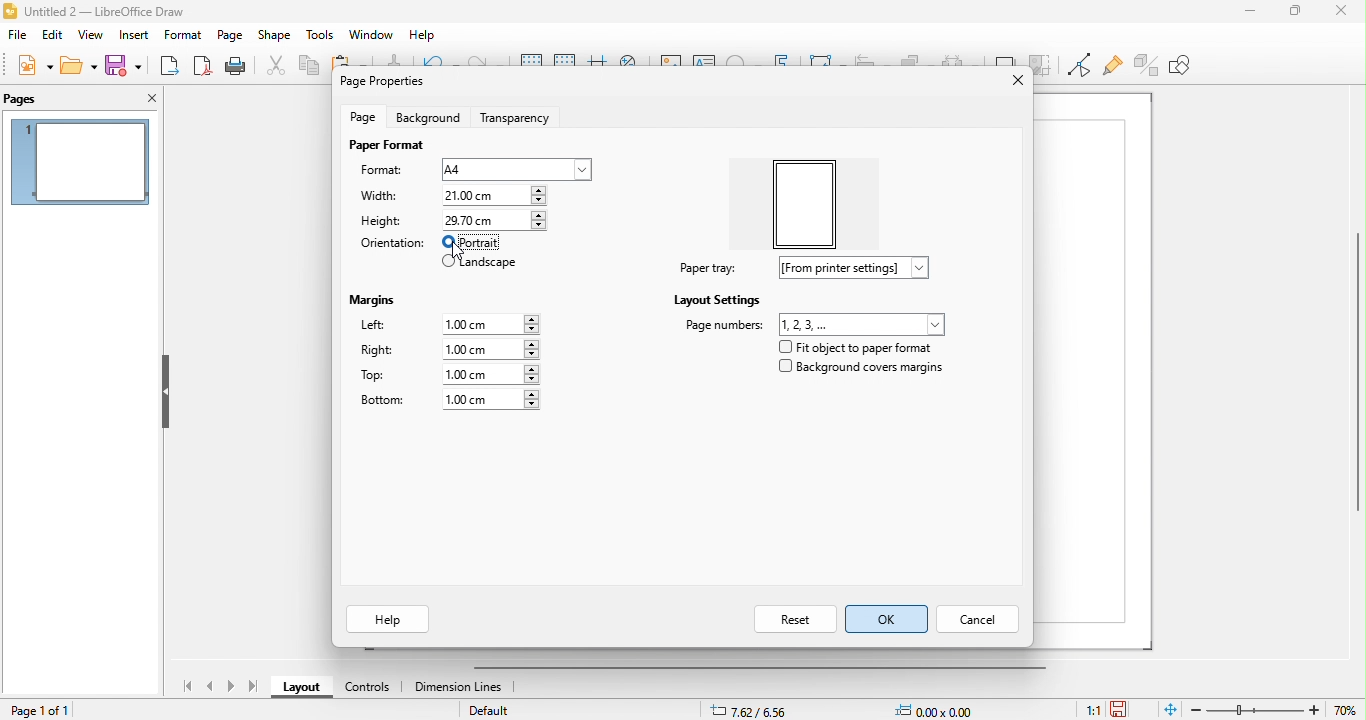 This screenshot has width=1366, height=720. Describe the element at coordinates (451, 324) in the screenshot. I see `left` at that location.